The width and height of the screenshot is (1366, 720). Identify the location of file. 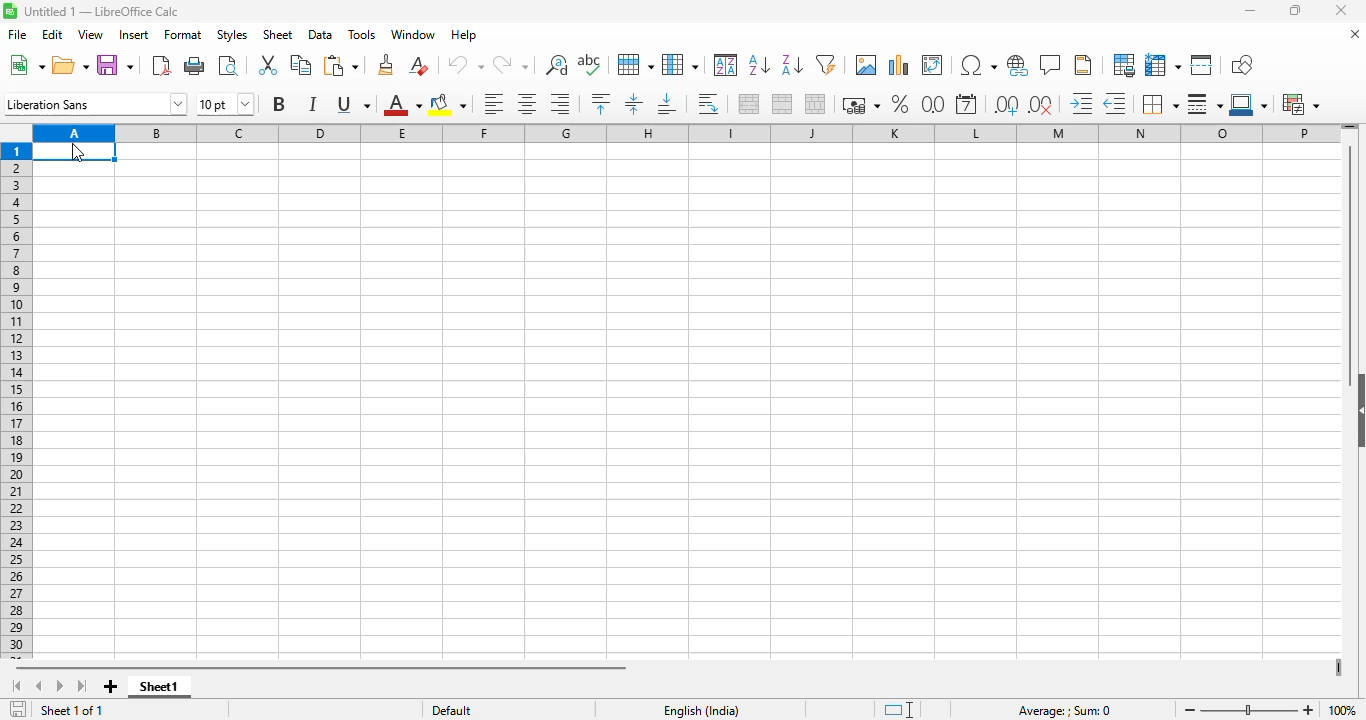
(17, 34).